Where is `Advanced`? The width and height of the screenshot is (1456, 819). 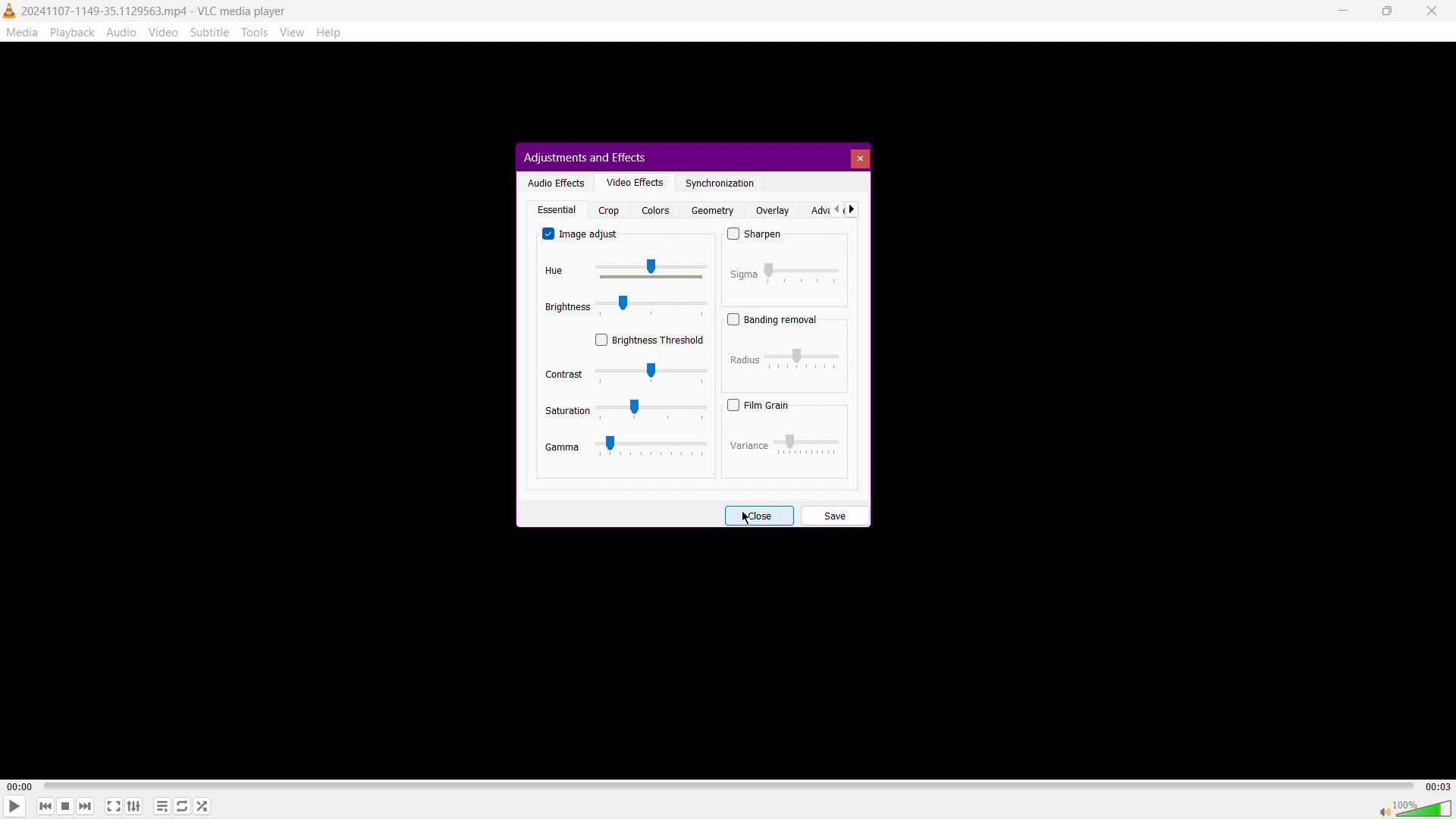
Advanced is located at coordinates (832, 209).